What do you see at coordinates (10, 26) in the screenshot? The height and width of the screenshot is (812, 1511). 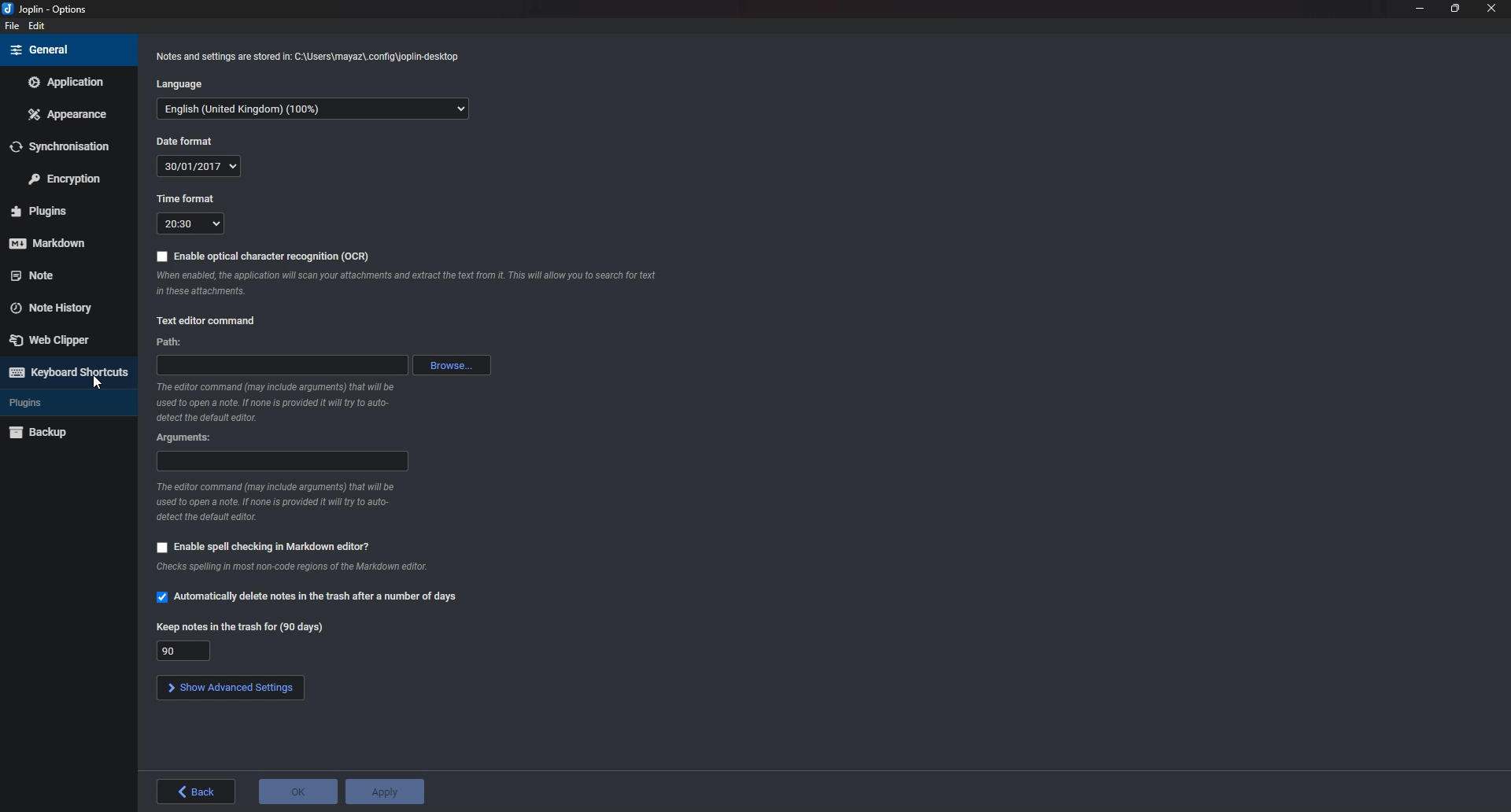 I see `file` at bounding box center [10, 26].